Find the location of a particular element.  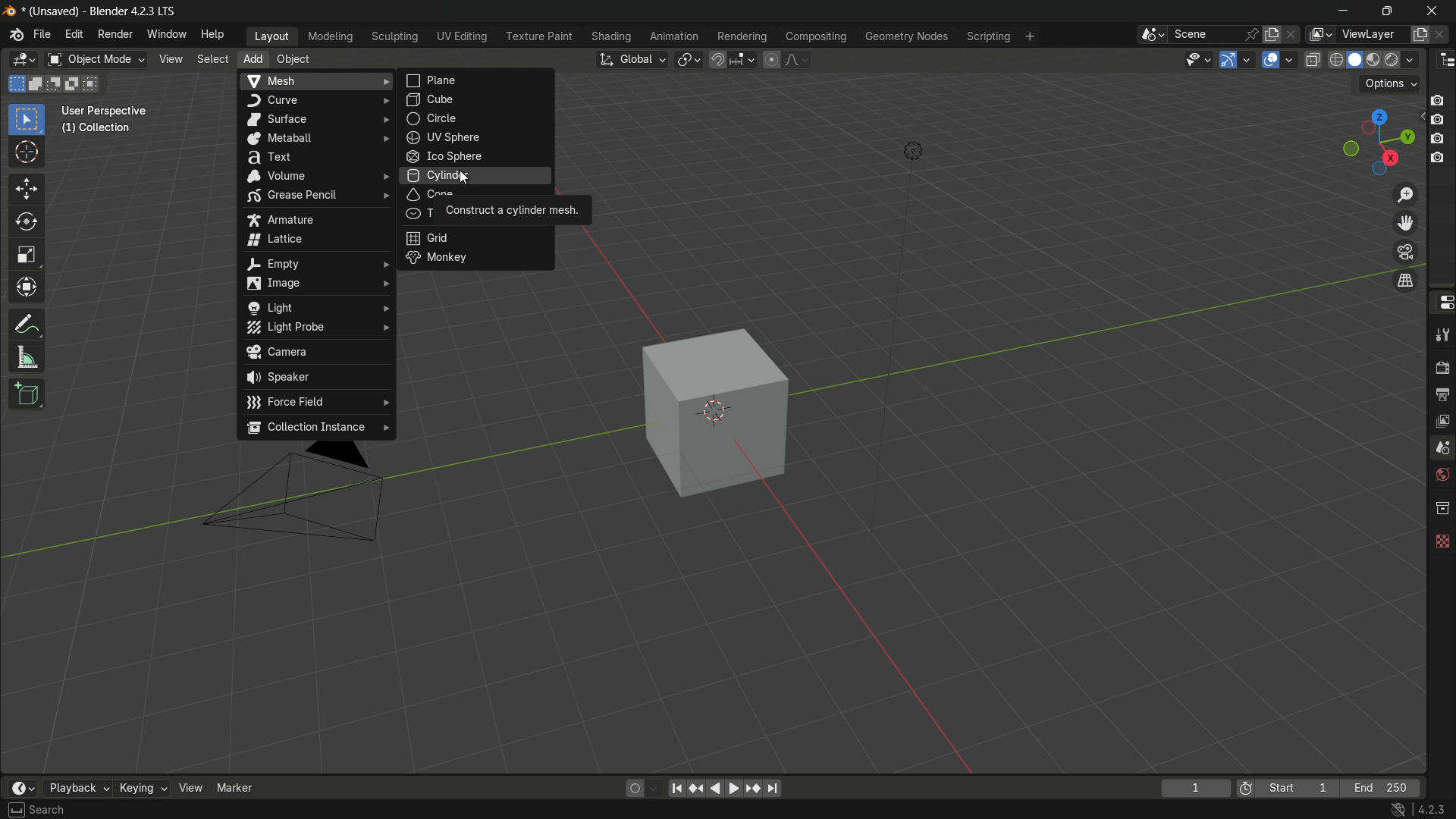

capture is located at coordinates (1439, 121).